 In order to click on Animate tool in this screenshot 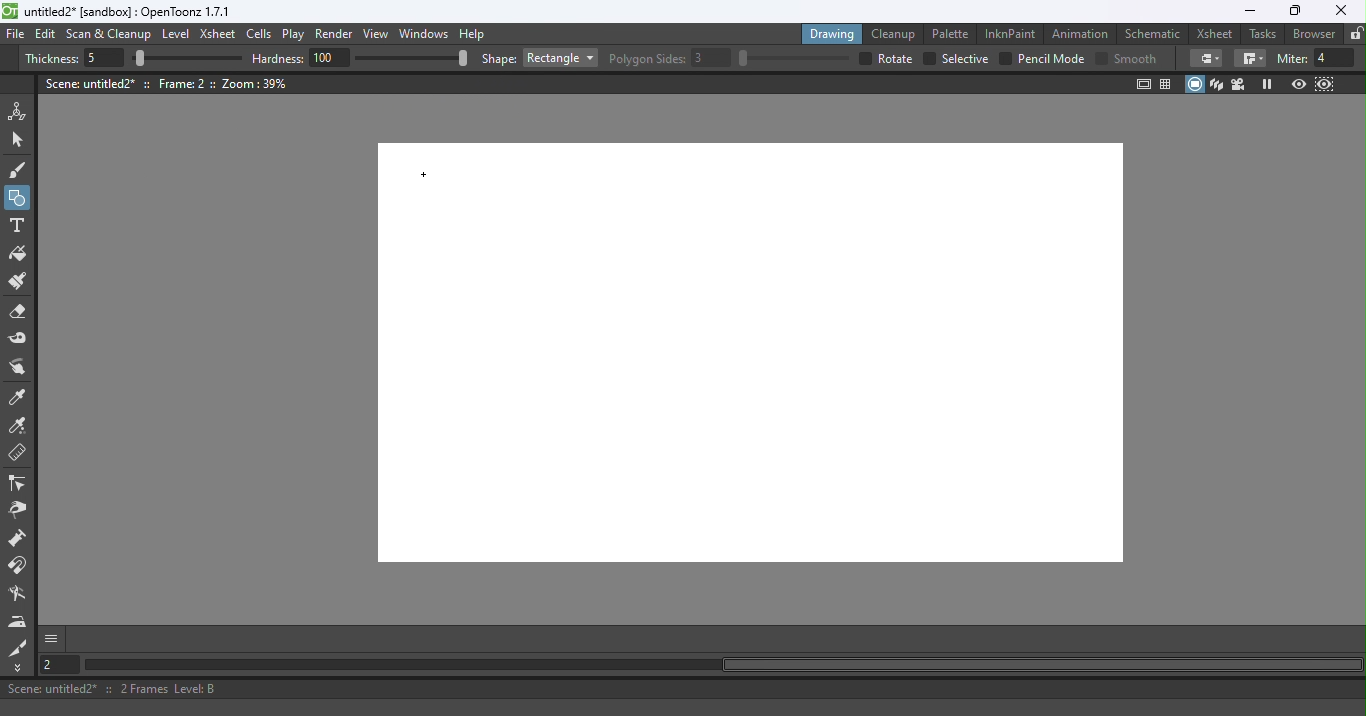, I will do `click(21, 111)`.